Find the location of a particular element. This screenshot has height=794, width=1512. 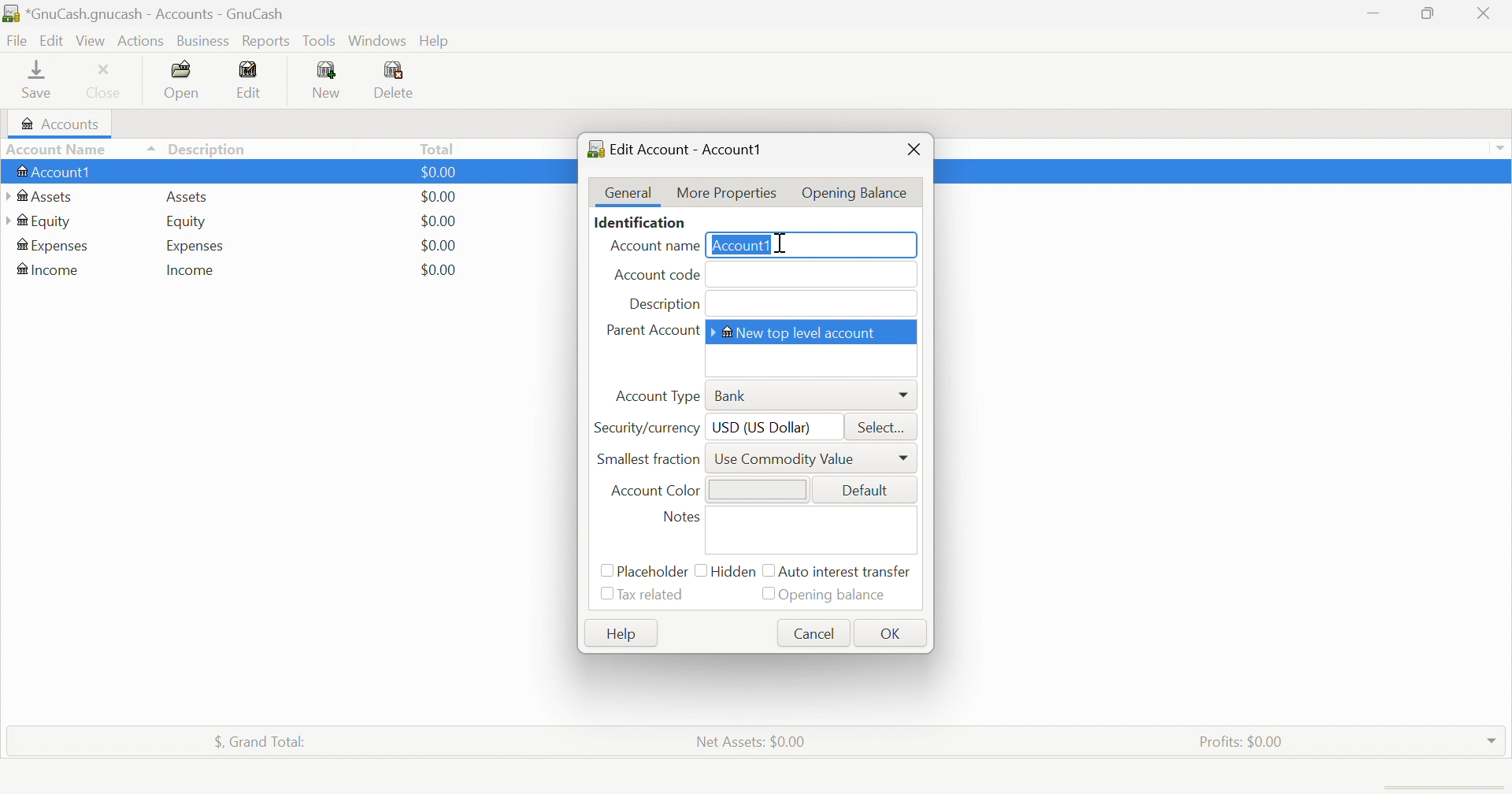

Security/currency is located at coordinates (646, 429).